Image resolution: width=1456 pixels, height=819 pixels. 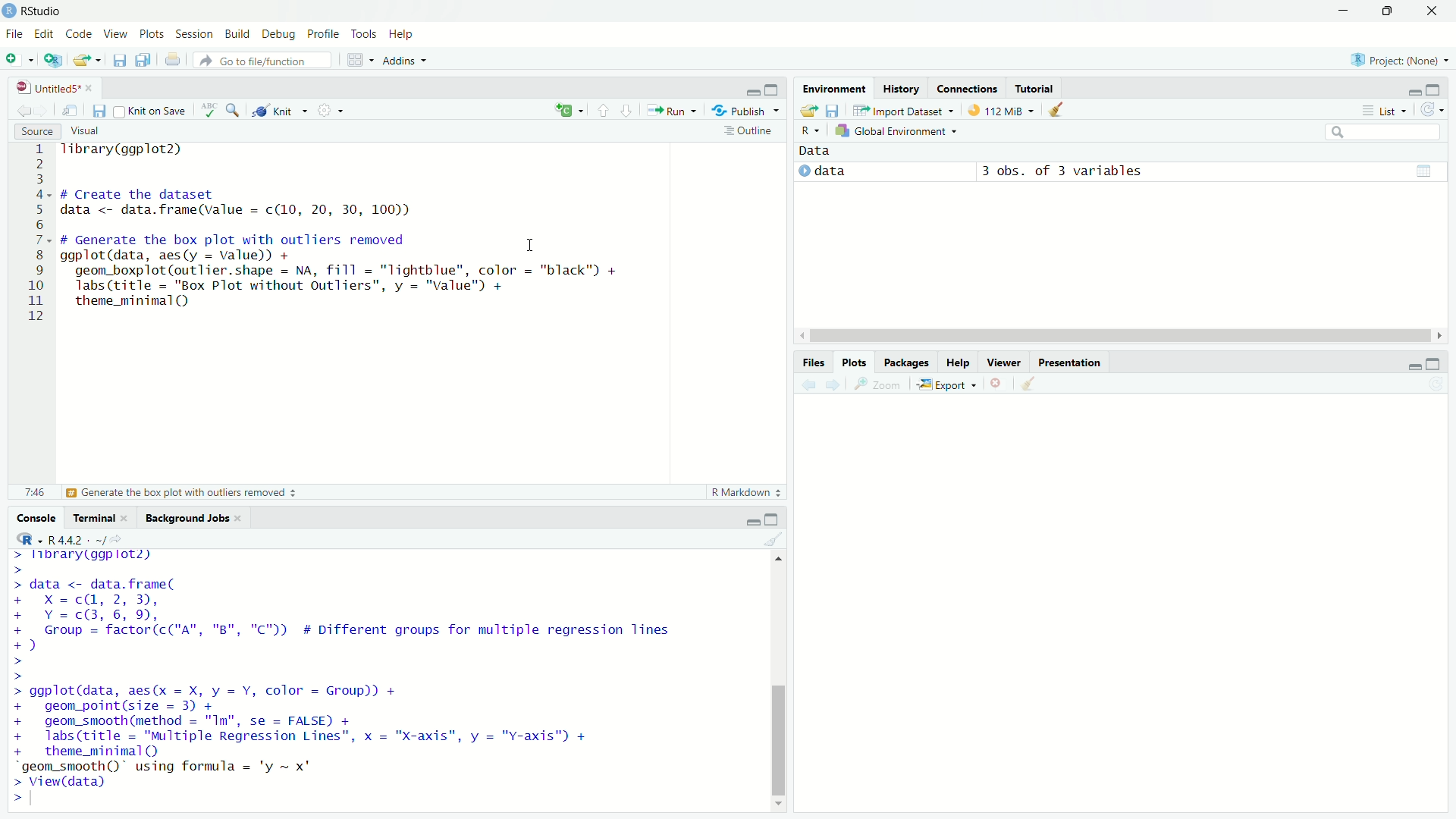 What do you see at coordinates (670, 113) in the screenshot?
I see `** Run` at bounding box center [670, 113].